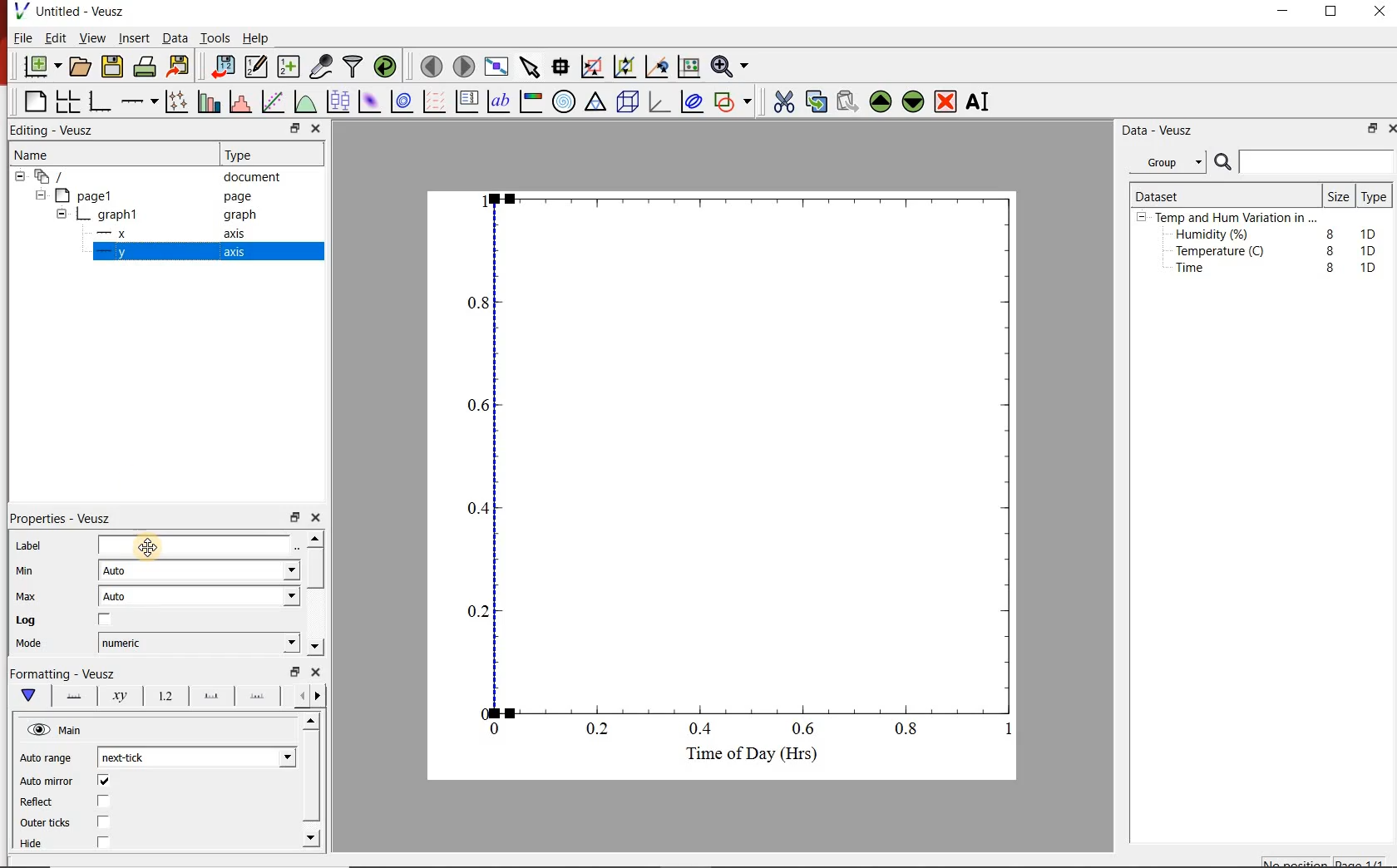  What do you see at coordinates (1330, 268) in the screenshot?
I see `8` at bounding box center [1330, 268].